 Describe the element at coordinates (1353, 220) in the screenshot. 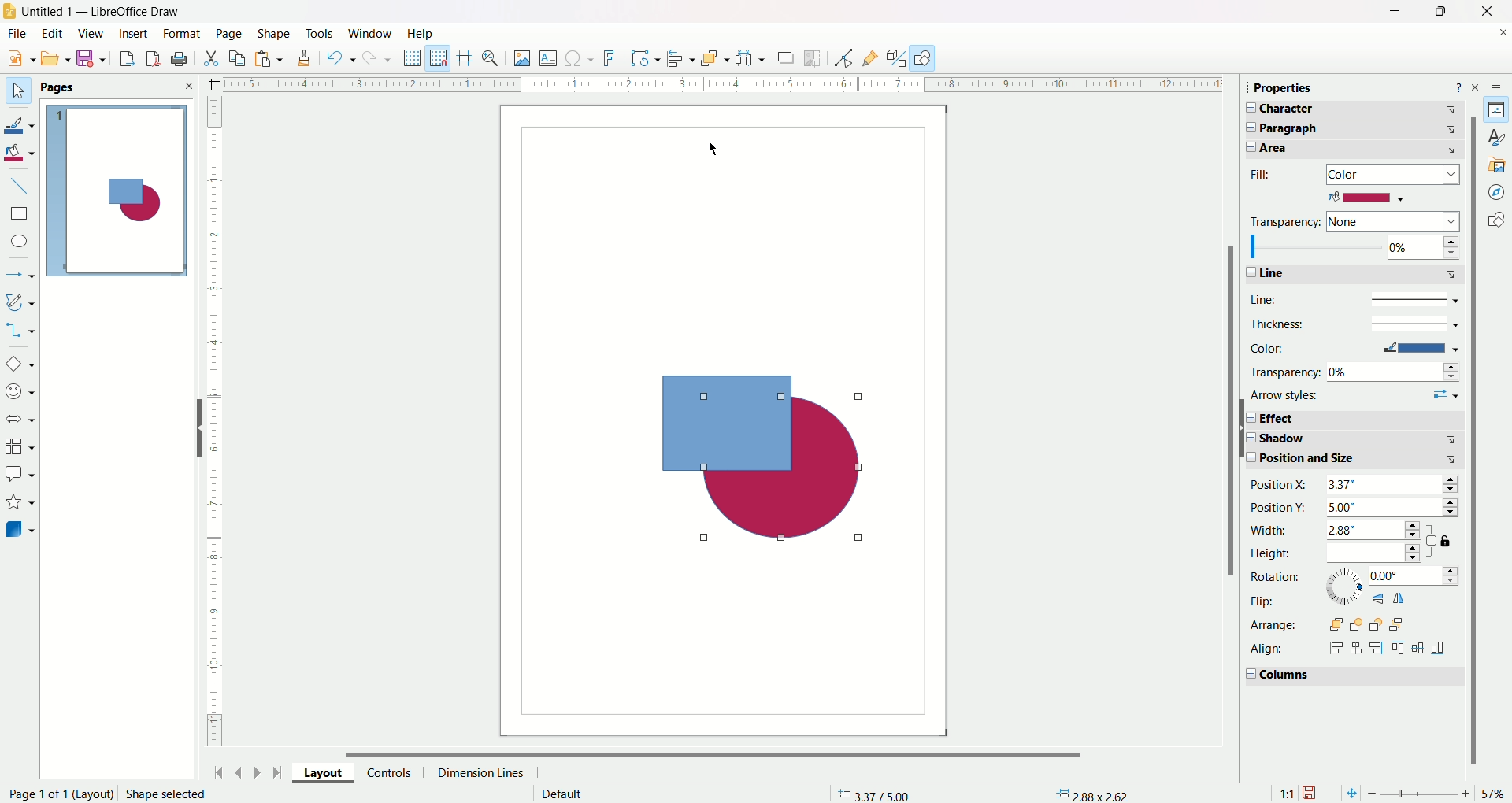

I see `transparency` at that location.